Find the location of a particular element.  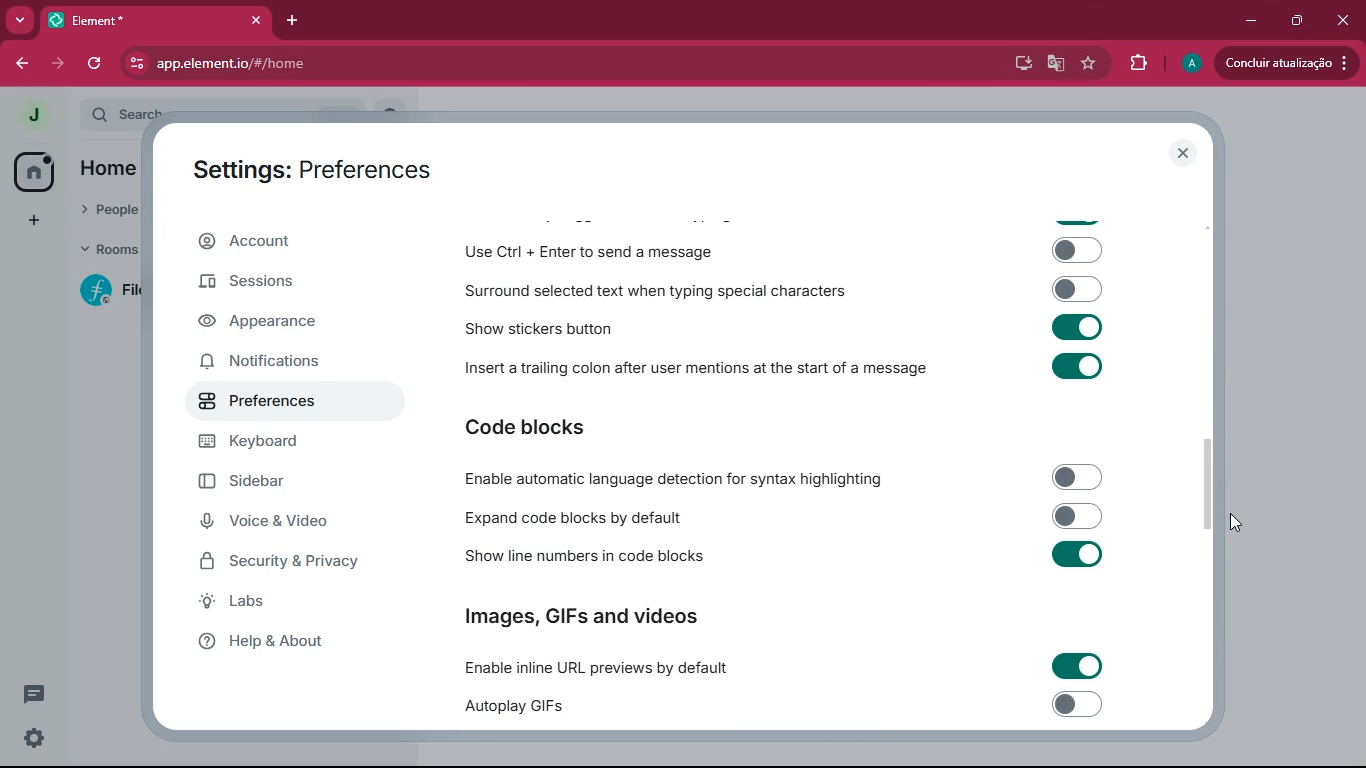

code blocks  is located at coordinates (539, 429).